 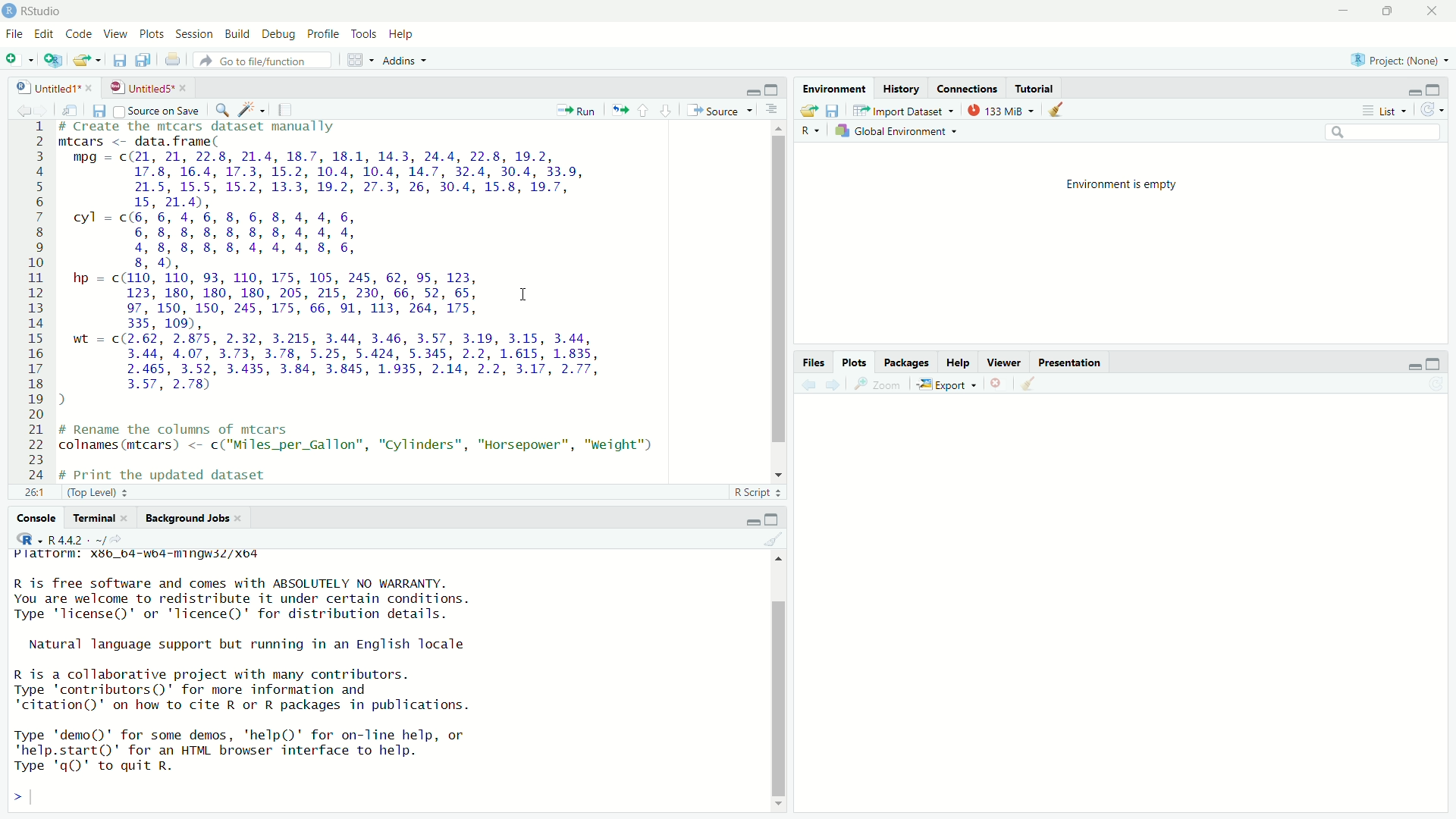 I want to click on View, so click(x=115, y=34).